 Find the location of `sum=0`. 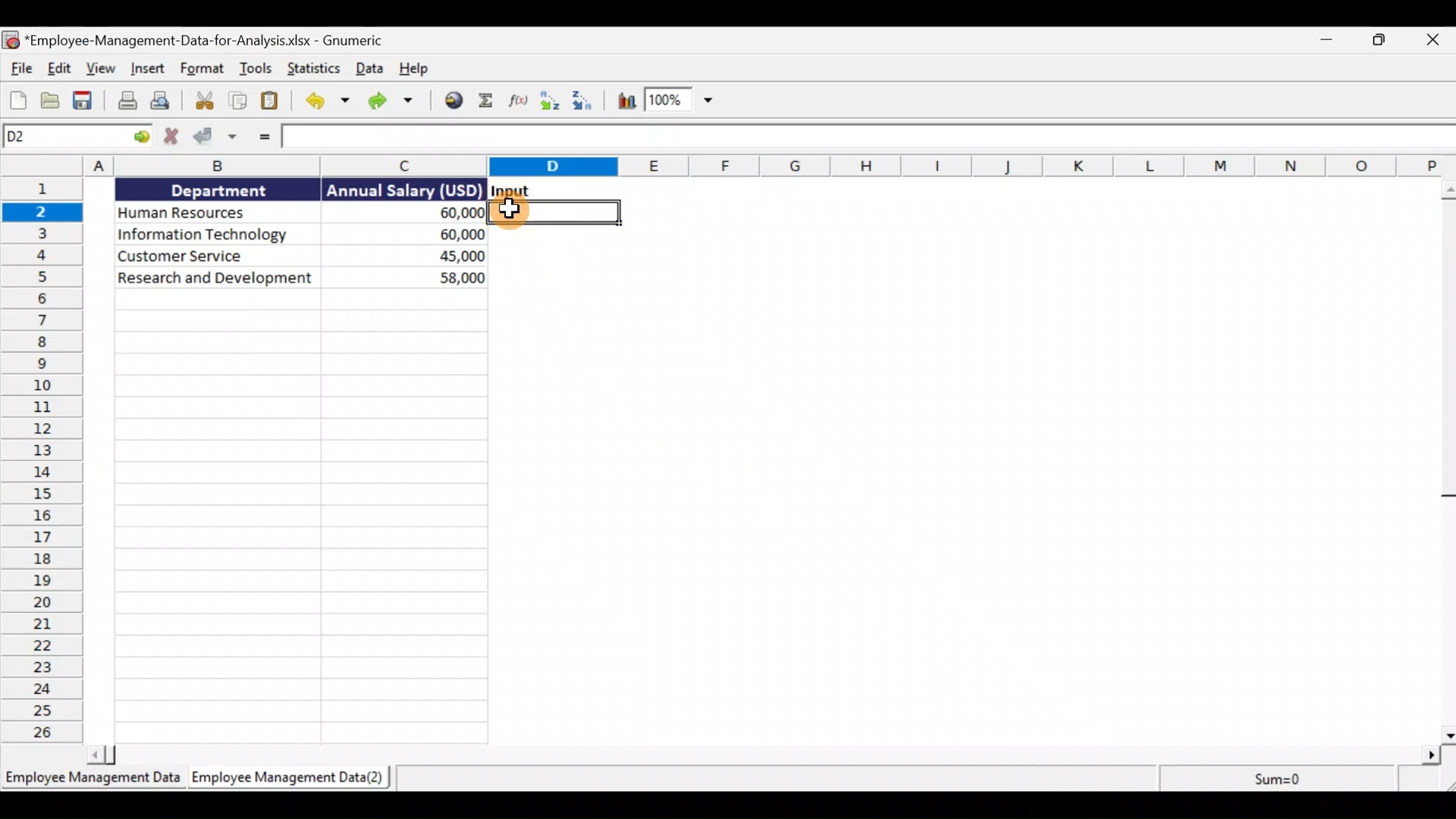

sum=0 is located at coordinates (1276, 778).